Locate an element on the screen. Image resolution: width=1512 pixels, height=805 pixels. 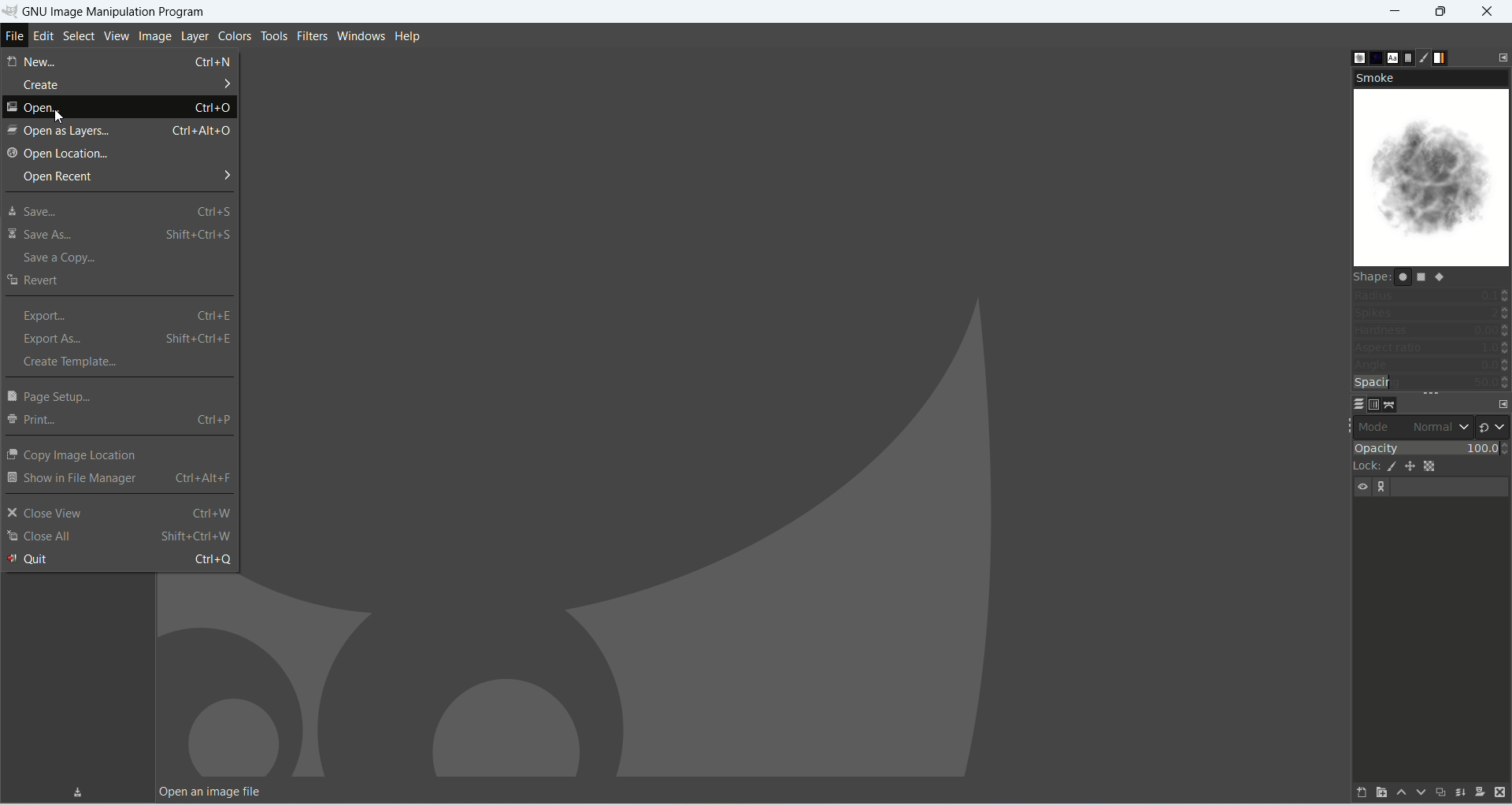
Edit is located at coordinates (44, 38).